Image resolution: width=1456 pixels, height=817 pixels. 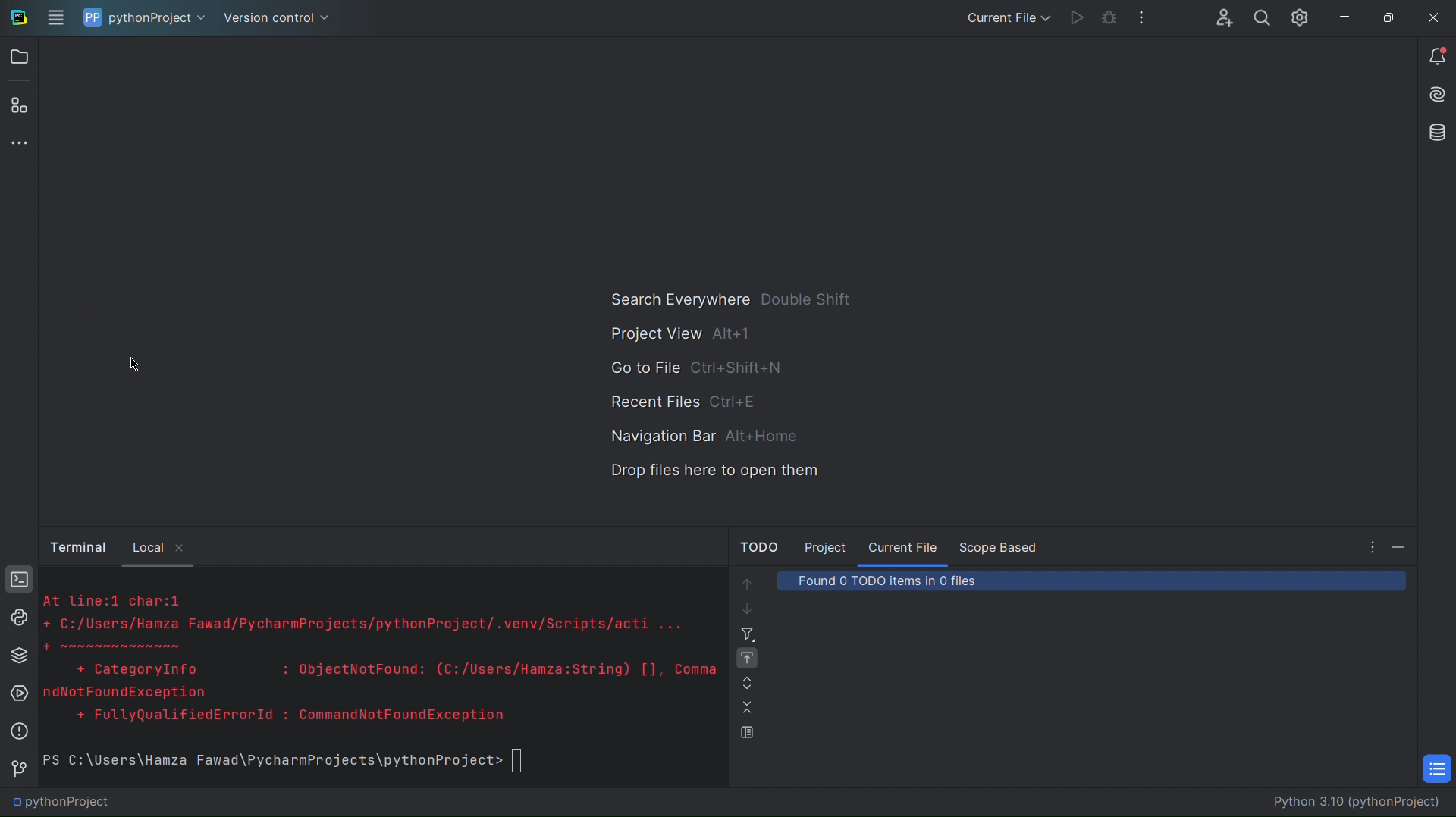 I want to click on Open, so click(x=20, y=58).